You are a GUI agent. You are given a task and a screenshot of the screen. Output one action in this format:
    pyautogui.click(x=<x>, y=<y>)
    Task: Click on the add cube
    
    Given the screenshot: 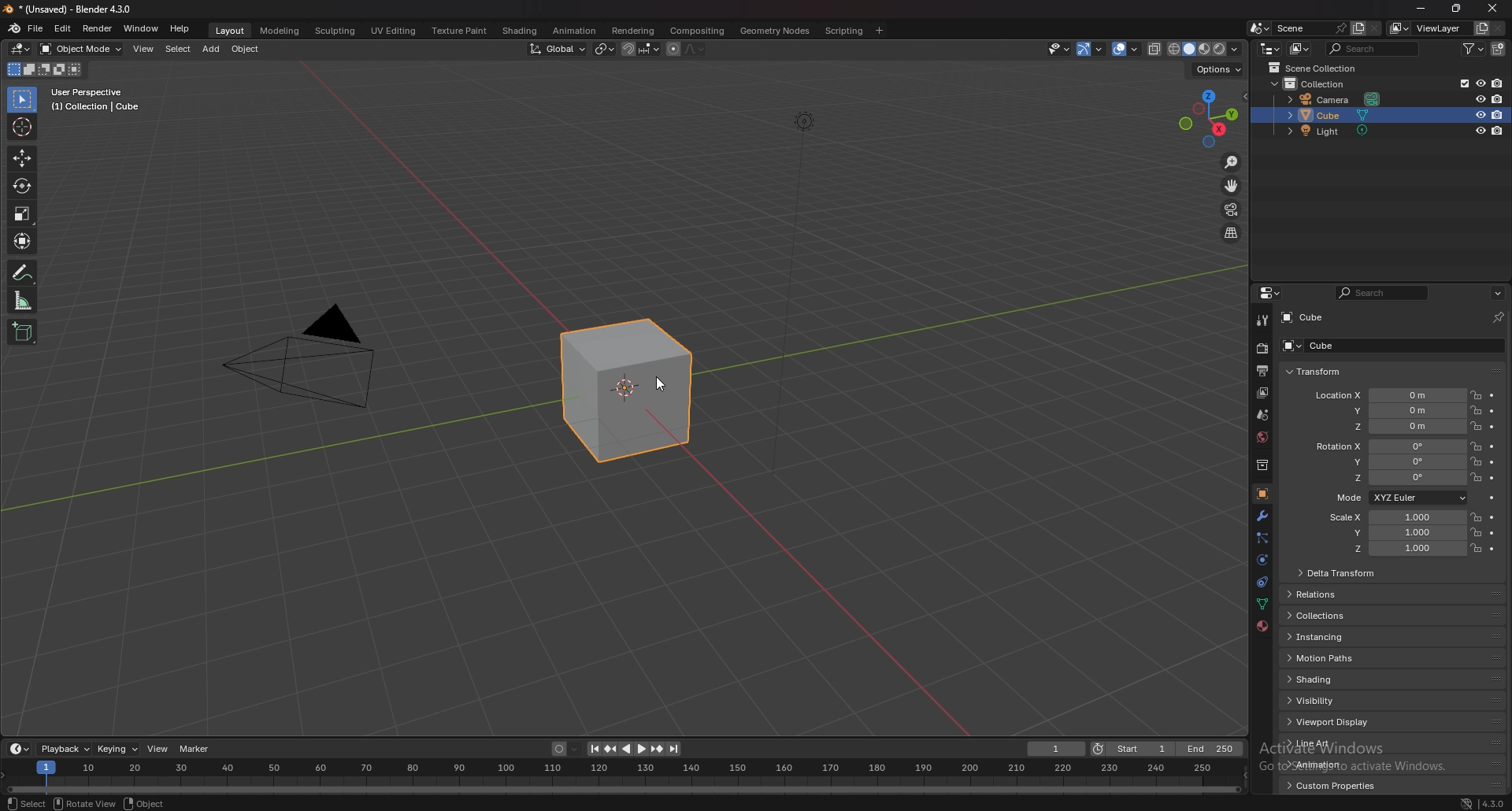 What is the action you would take?
    pyautogui.click(x=24, y=332)
    